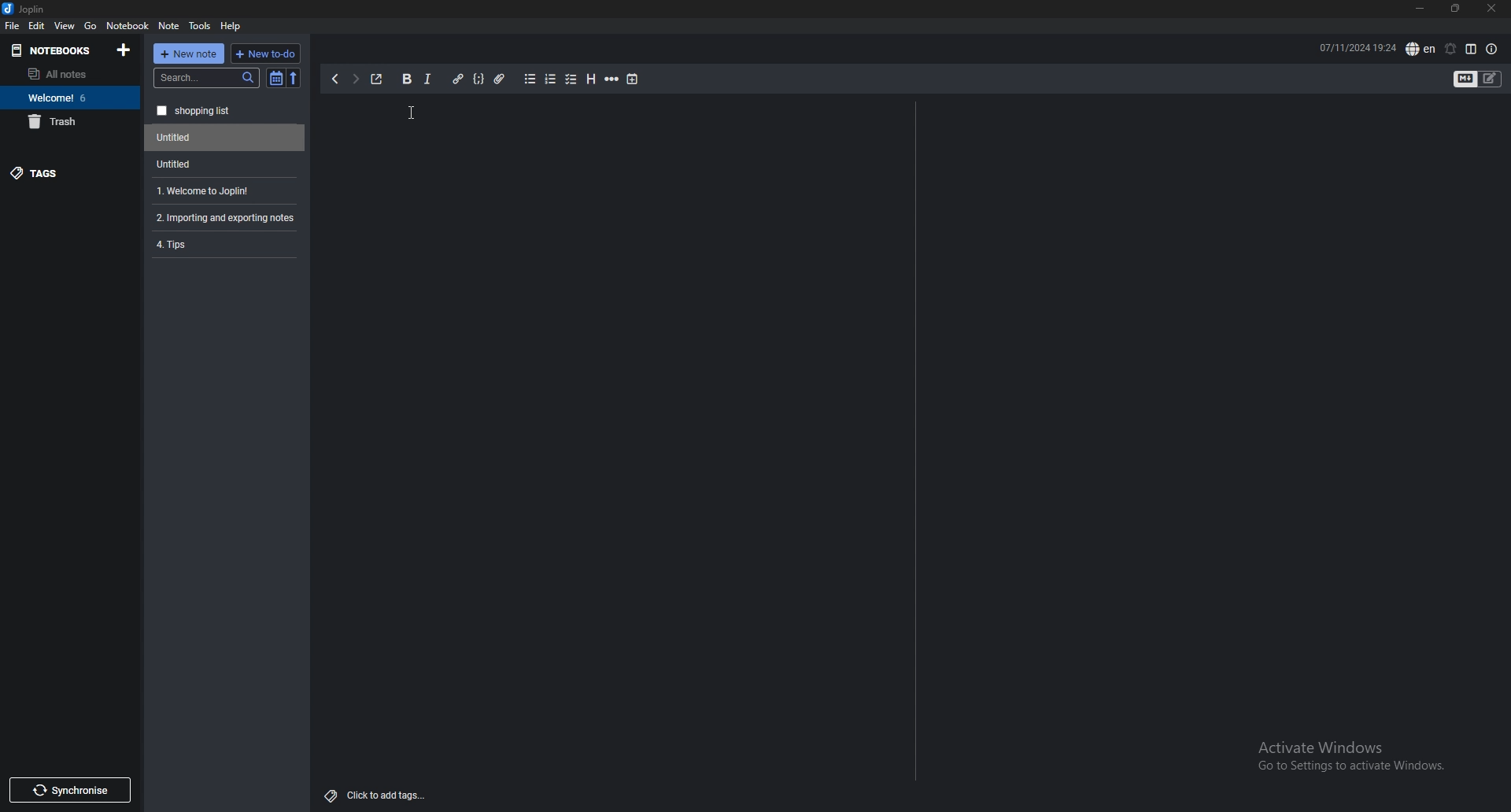 The width and height of the screenshot is (1511, 812). Describe the element at coordinates (207, 78) in the screenshot. I see `search bar` at that location.